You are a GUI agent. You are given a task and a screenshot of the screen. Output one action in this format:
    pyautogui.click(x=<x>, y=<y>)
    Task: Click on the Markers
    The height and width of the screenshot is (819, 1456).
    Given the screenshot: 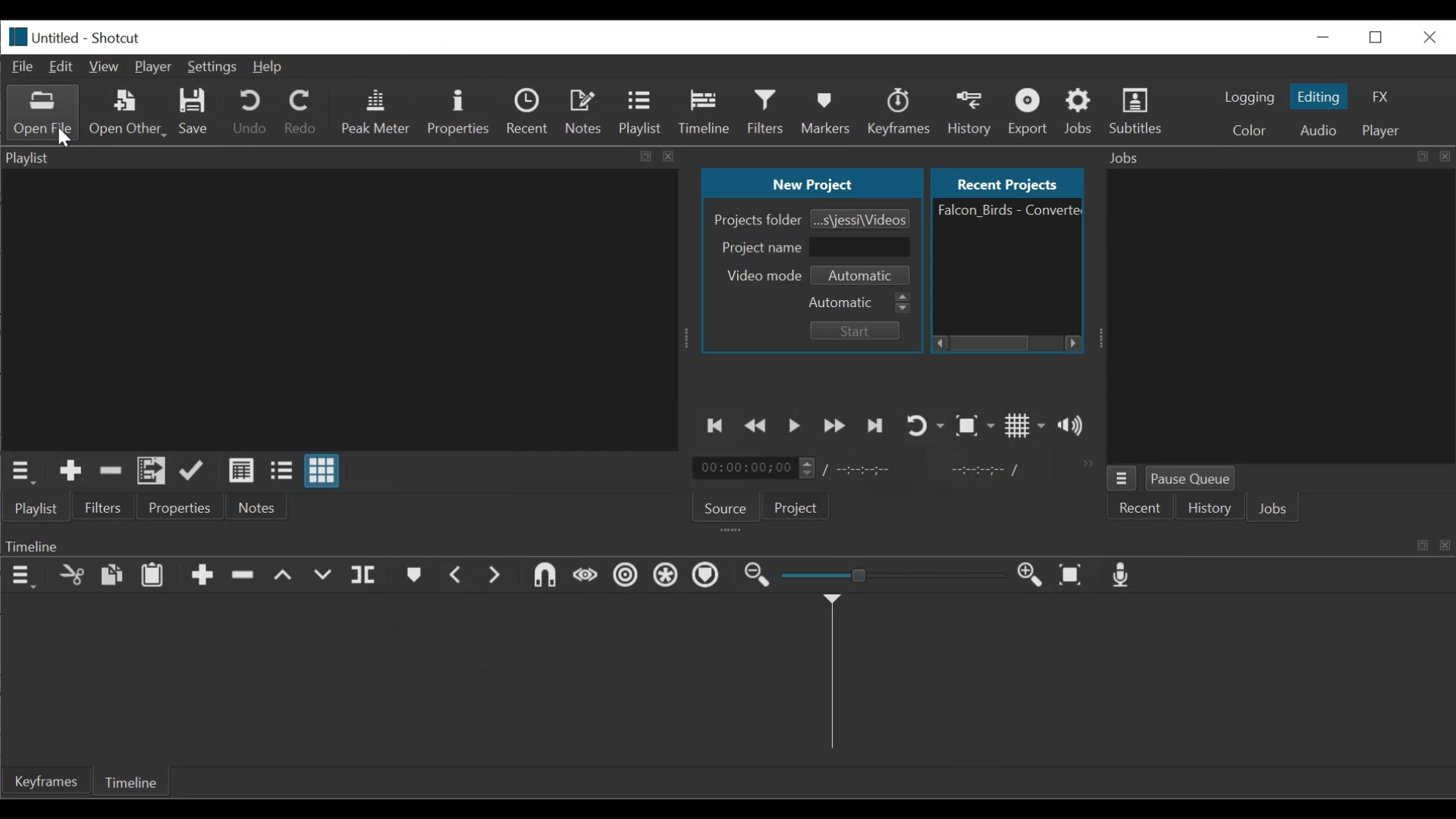 What is the action you would take?
    pyautogui.click(x=416, y=576)
    